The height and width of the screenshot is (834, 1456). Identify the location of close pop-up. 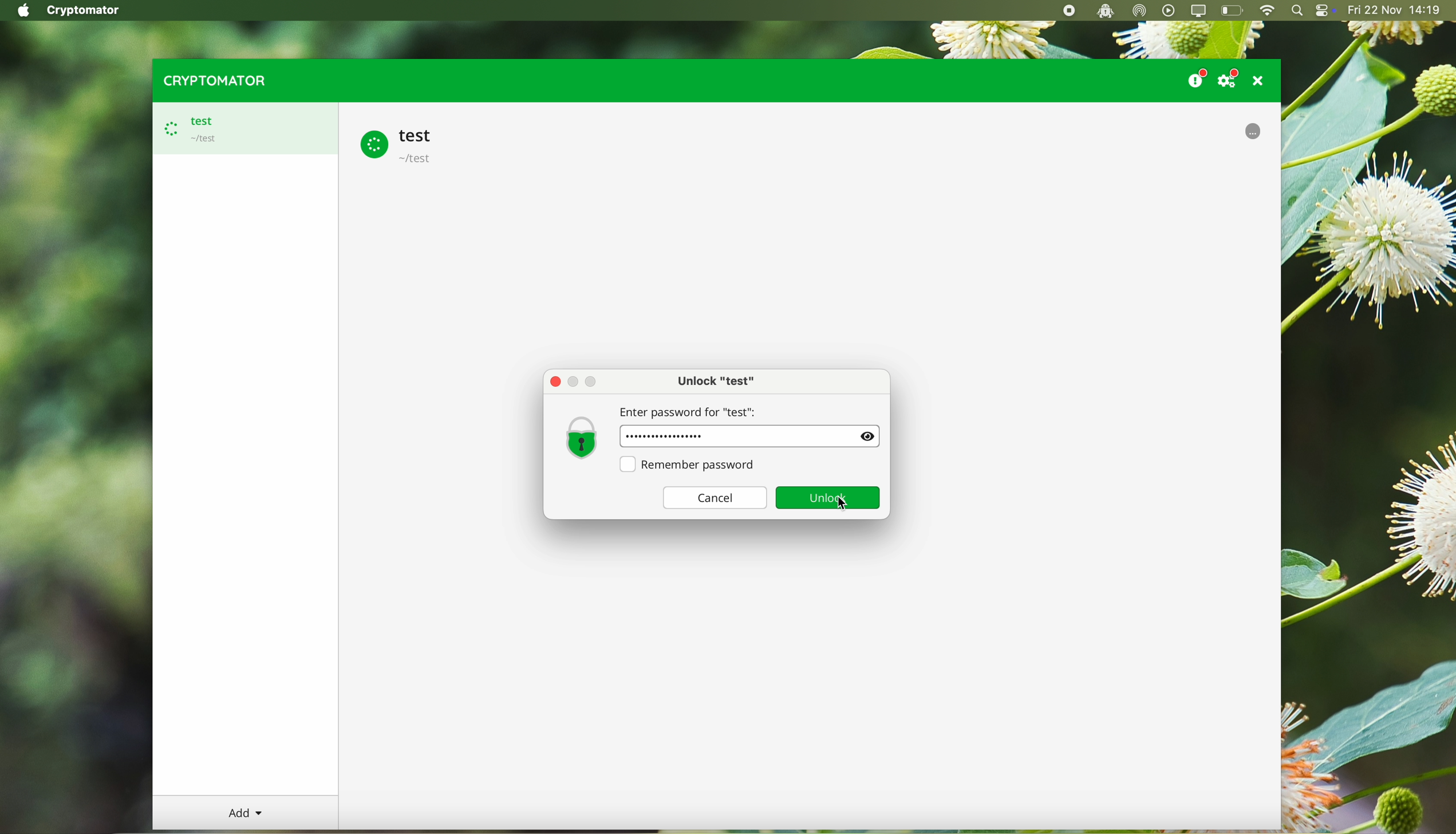
(556, 382).